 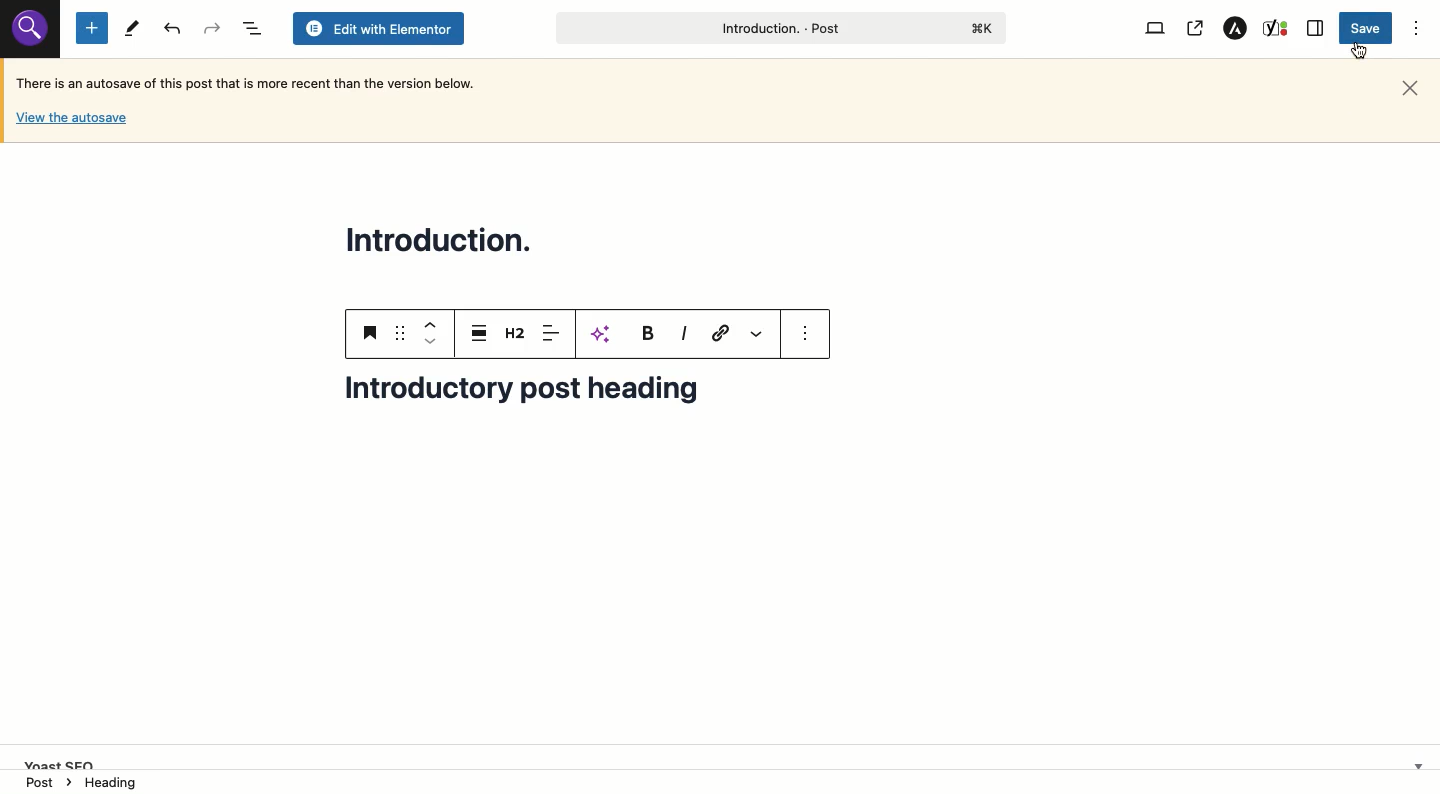 I want to click on Bookmark, so click(x=372, y=332).